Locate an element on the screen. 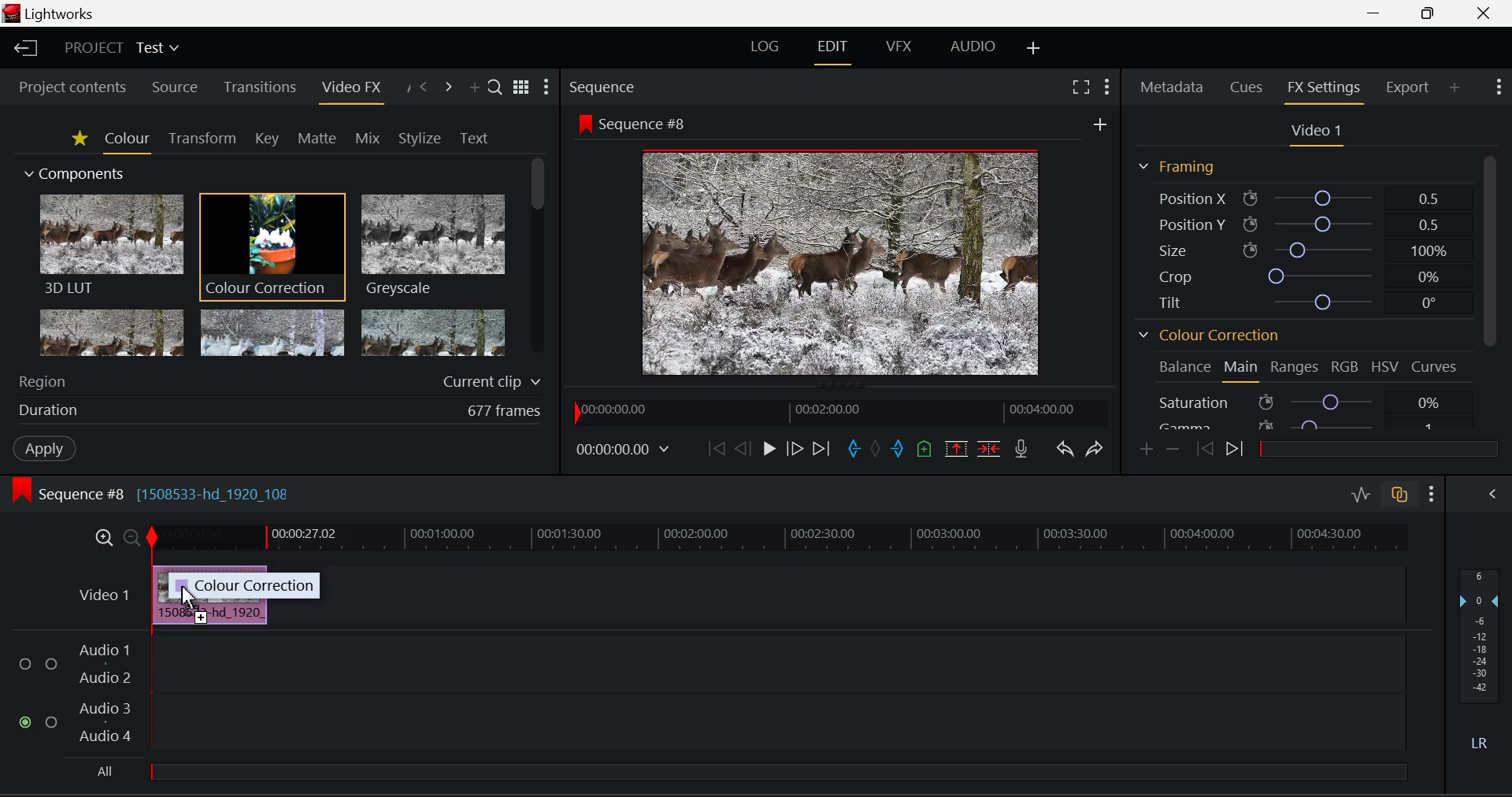 The height and width of the screenshot is (797, 1512). Transform is located at coordinates (202, 139).